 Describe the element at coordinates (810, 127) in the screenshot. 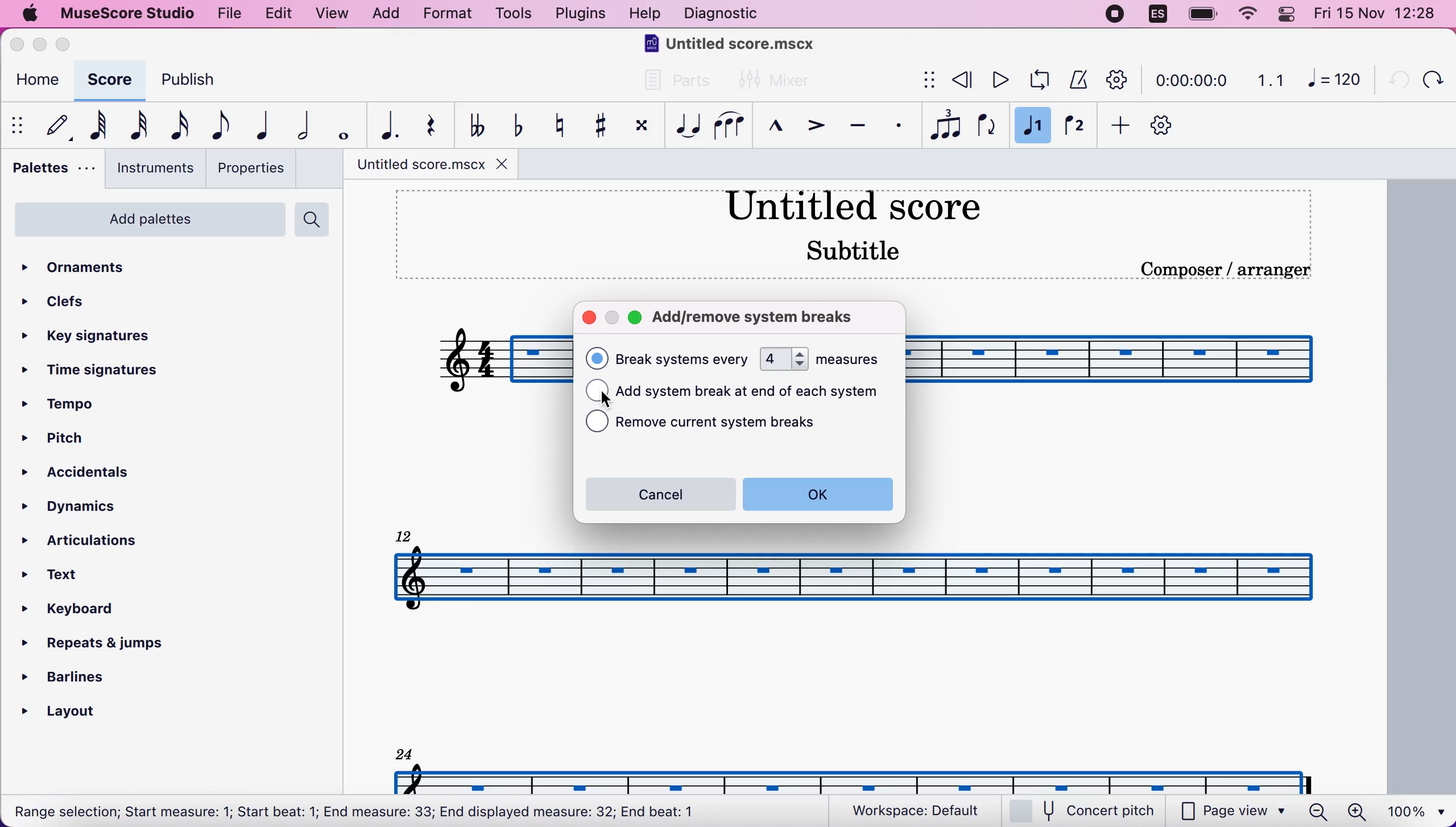

I see `accent` at that location.